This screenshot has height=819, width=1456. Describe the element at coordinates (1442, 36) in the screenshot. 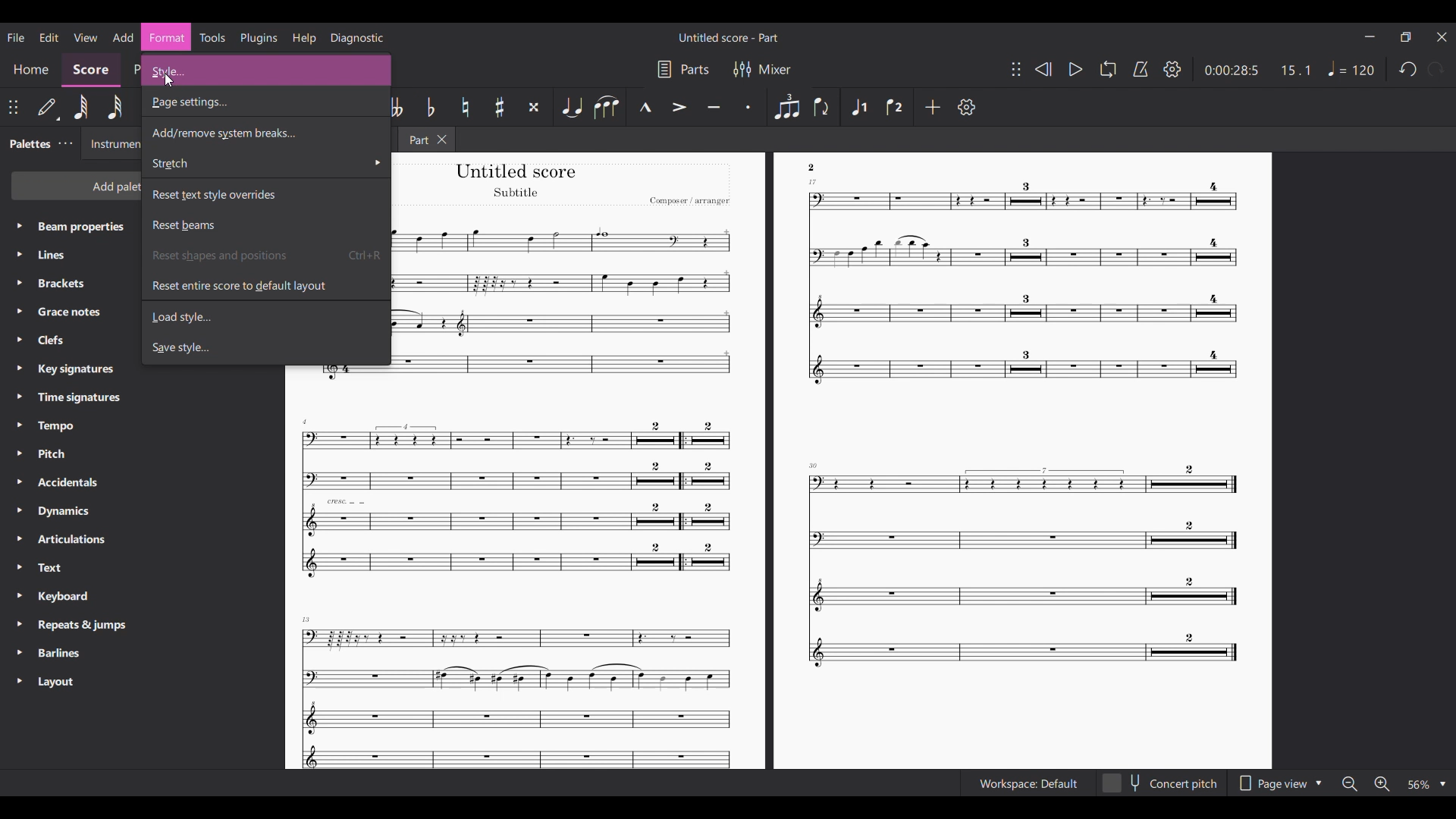

I see `Close interface` at that location.